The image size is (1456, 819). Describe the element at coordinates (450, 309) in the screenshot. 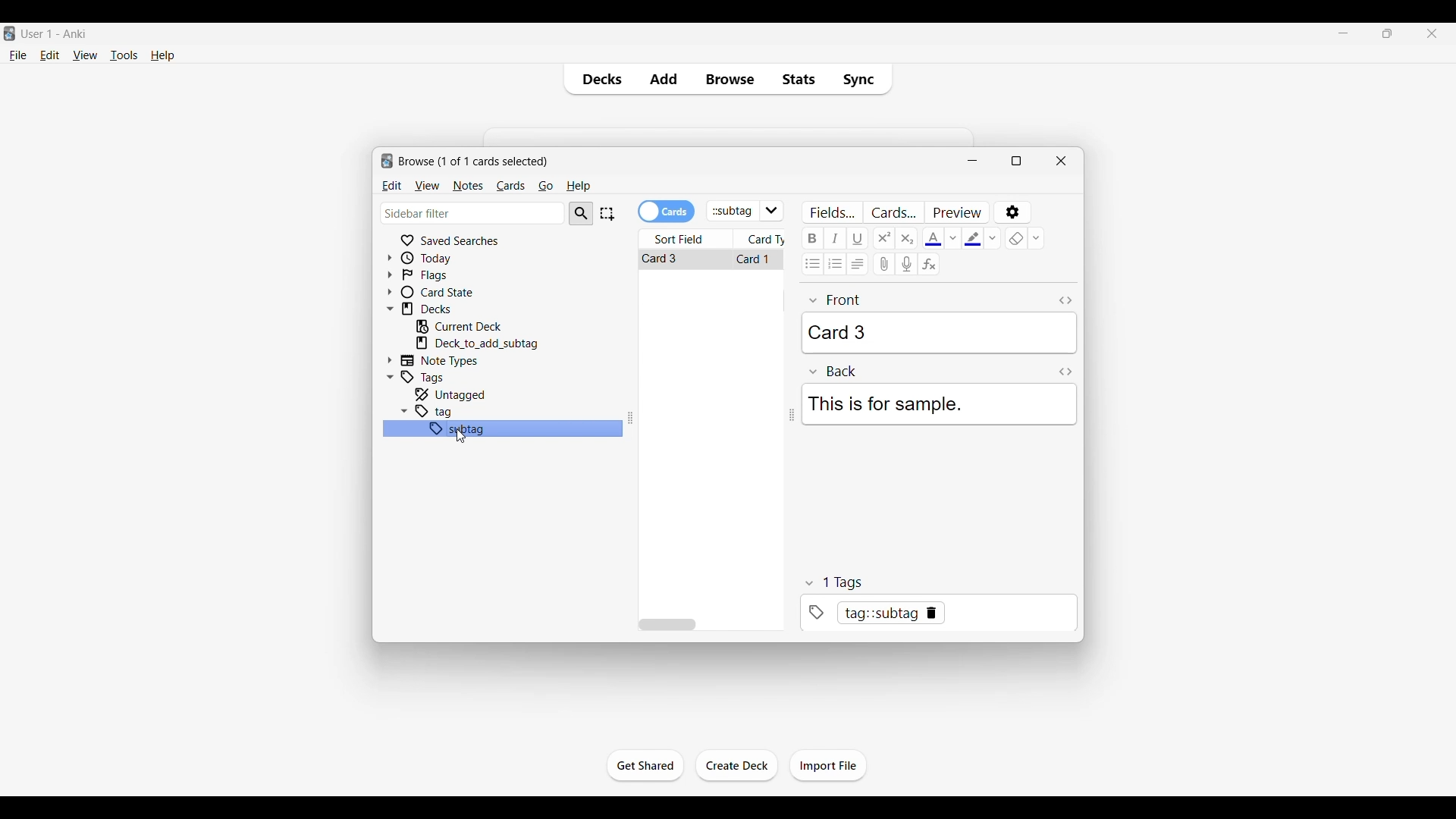

I see `Click to go to decks` at that location.